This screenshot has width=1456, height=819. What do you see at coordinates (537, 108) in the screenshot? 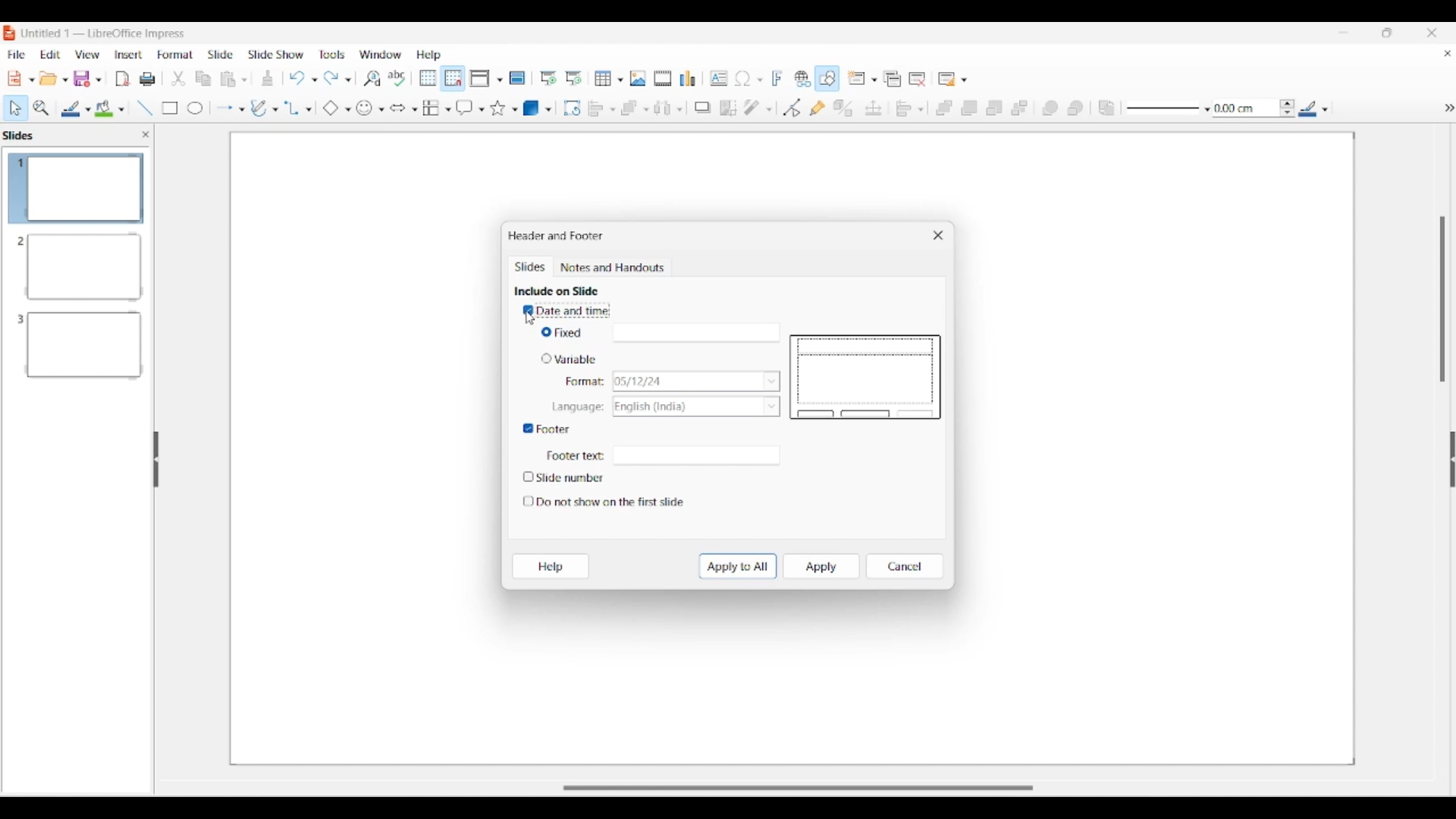
I see `3D object options` at bounding box center [537, 108].